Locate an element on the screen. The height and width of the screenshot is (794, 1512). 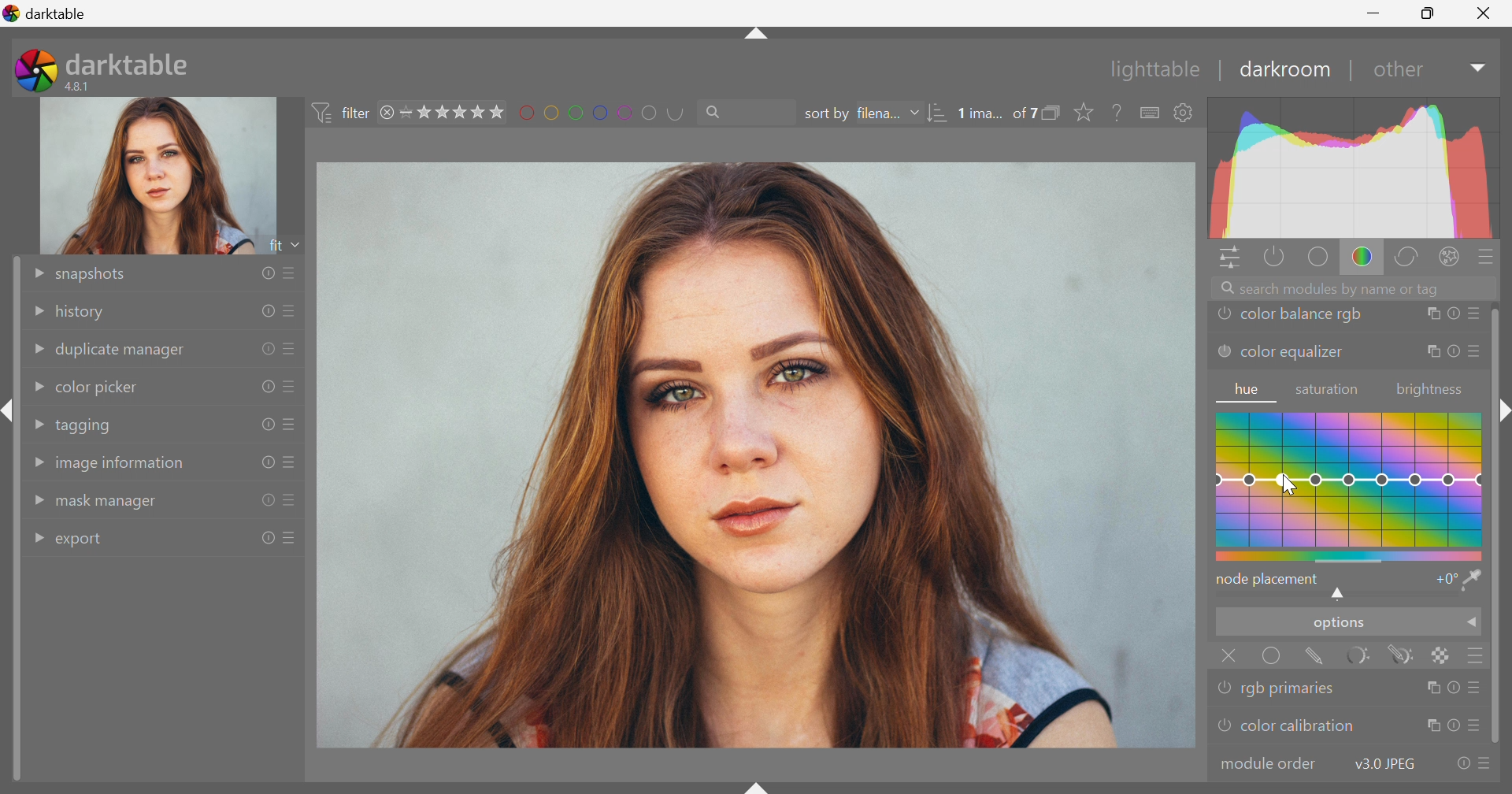
Close is located at coordinates (1227, 655).